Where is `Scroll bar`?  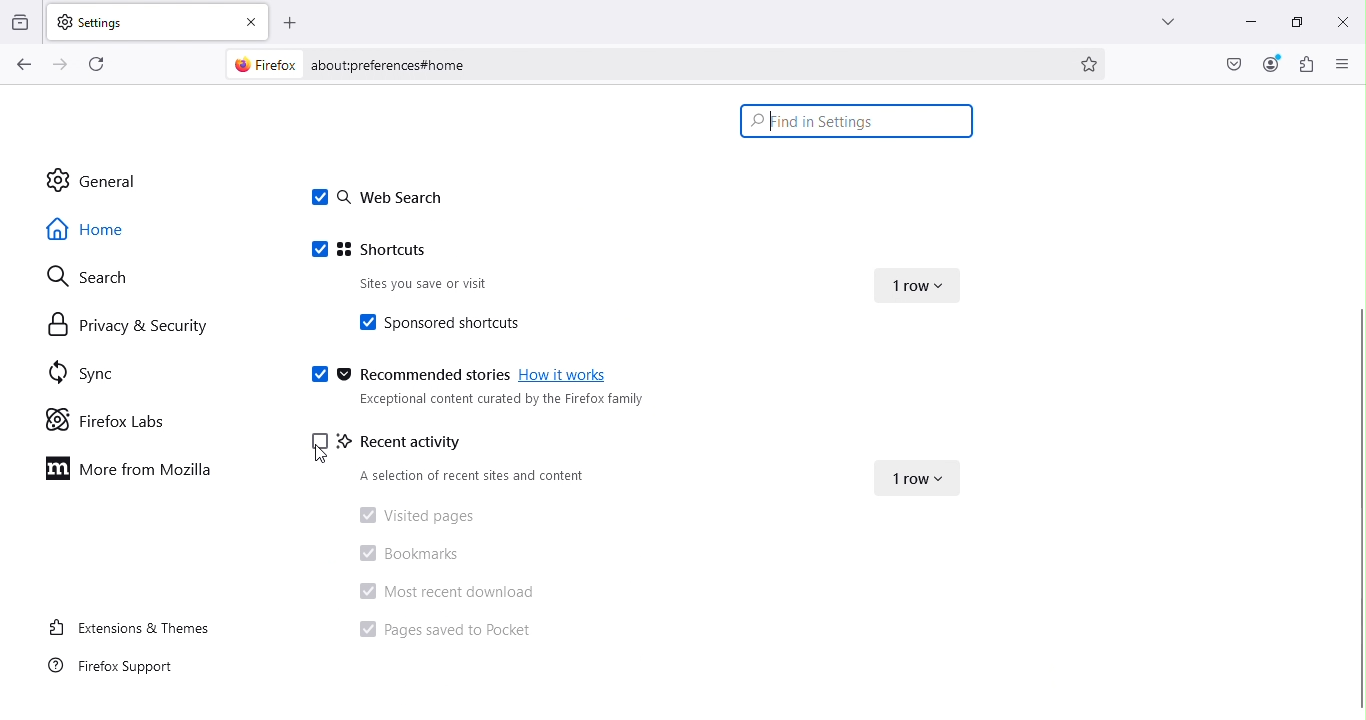
Scroll bar is located at coordinates (1357, 508).